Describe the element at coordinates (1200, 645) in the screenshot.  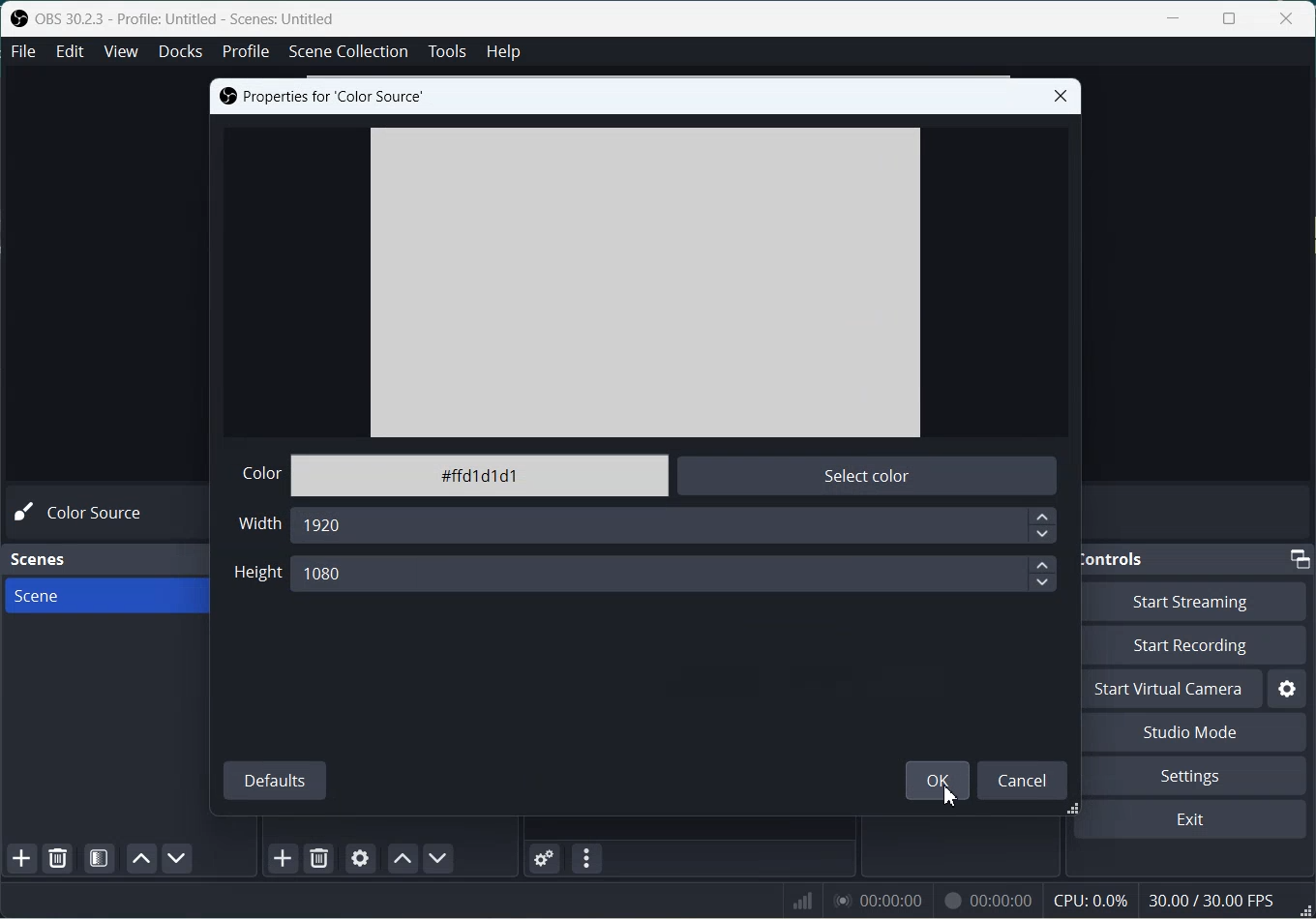
I see `Start Recording` at that location.